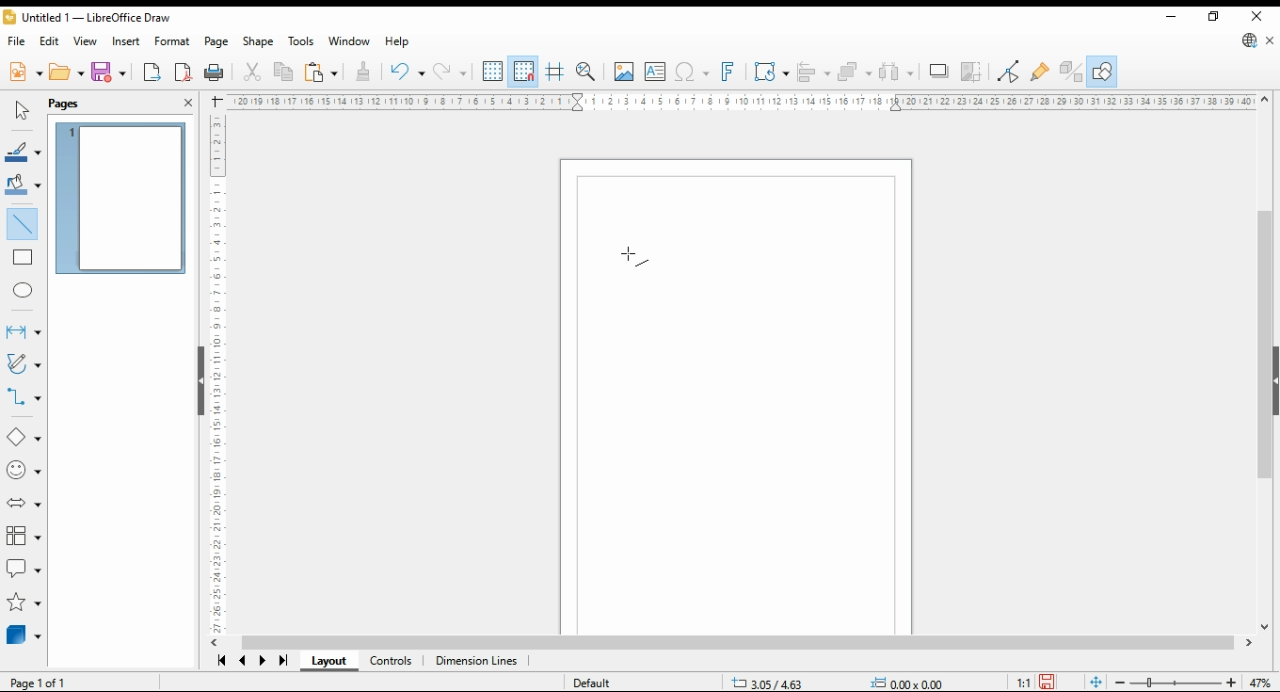 This screenshot has height=692, width=1280. What do you see at coordinates (183, 72) in the screenshot?
I see `export as pdf` at bounding box center [183, 72].